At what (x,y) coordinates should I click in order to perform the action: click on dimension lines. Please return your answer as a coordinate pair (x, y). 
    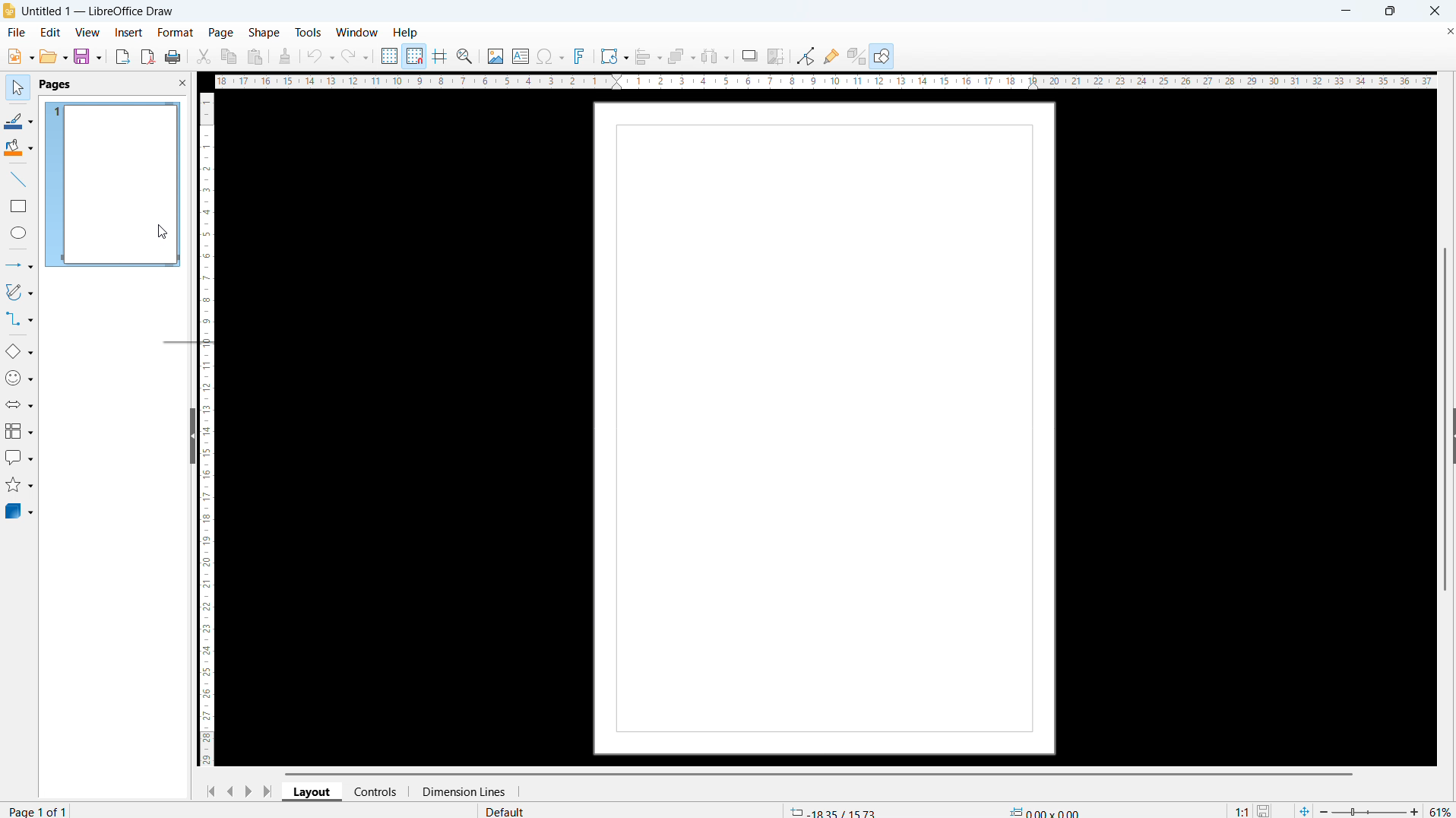
    Looking at the image, I should click on (459, 792).